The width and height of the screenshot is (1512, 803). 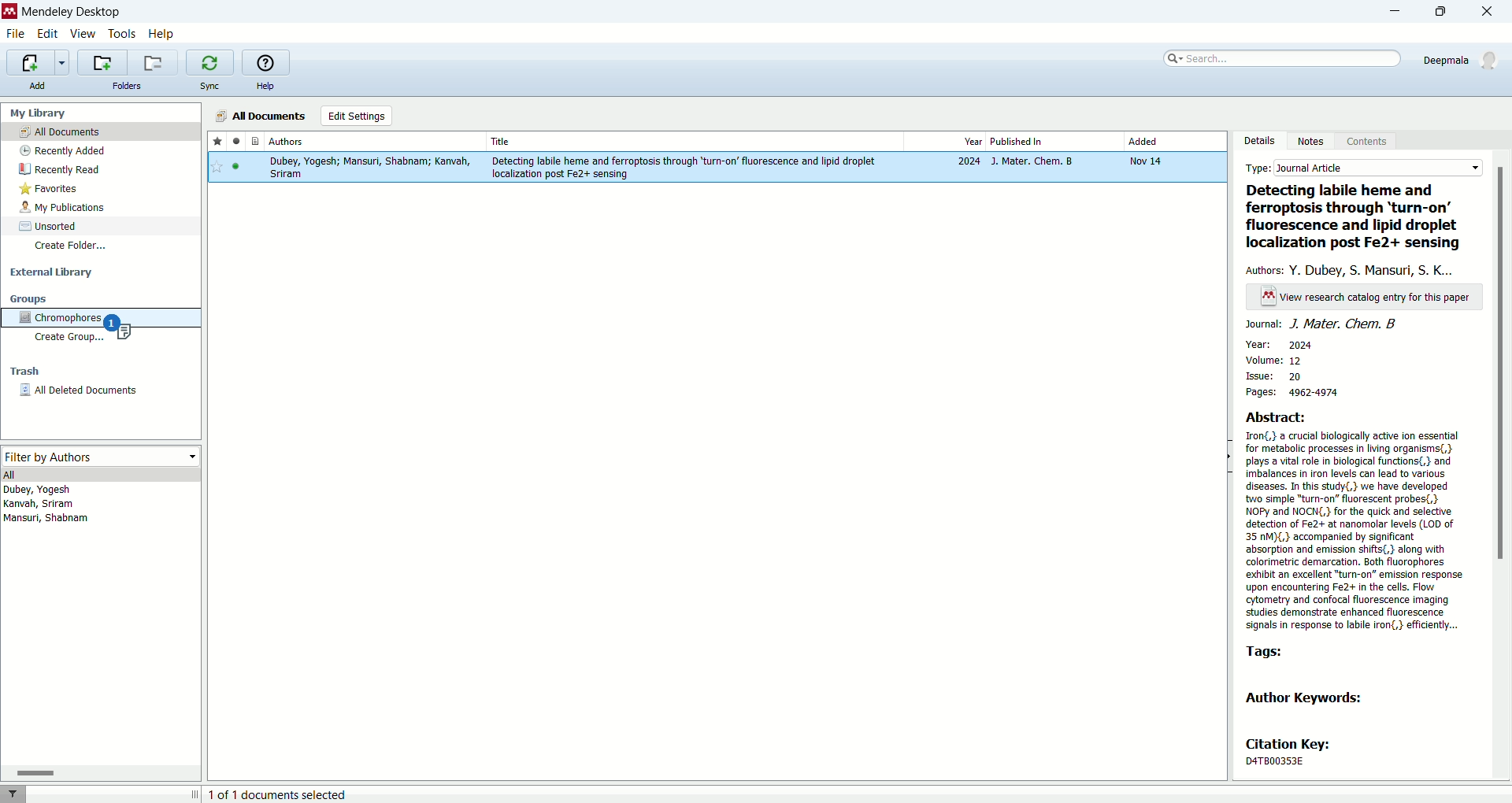 What do you see at coordinates (23, 372) in the screenshot?
I see `trash` at bounding box center [23, 372].